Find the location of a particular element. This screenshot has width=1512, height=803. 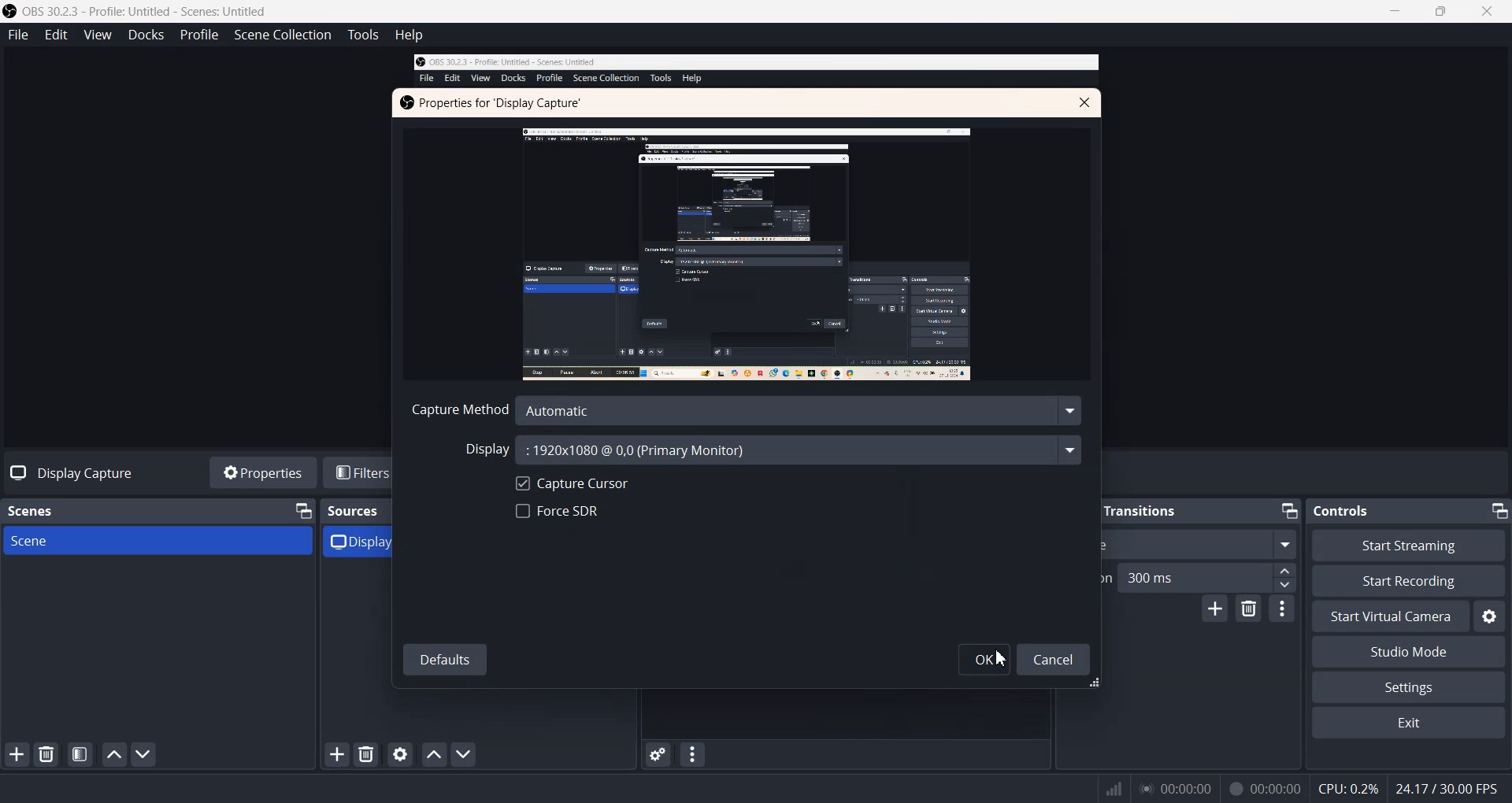

00.00.00 is located at coordinates (1177, 788).